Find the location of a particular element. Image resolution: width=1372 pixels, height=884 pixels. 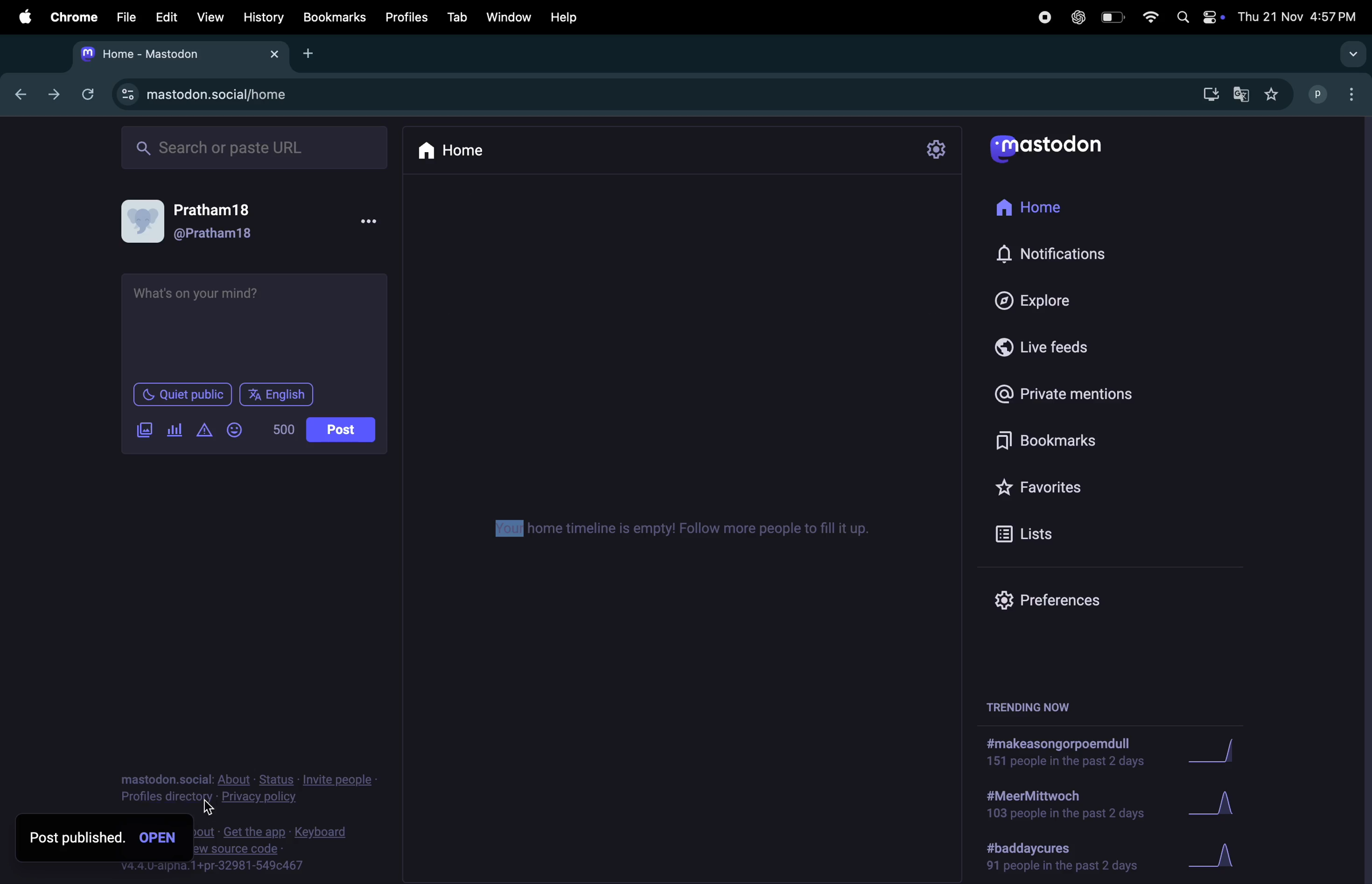

timelines is located at coordinates (674, 530).